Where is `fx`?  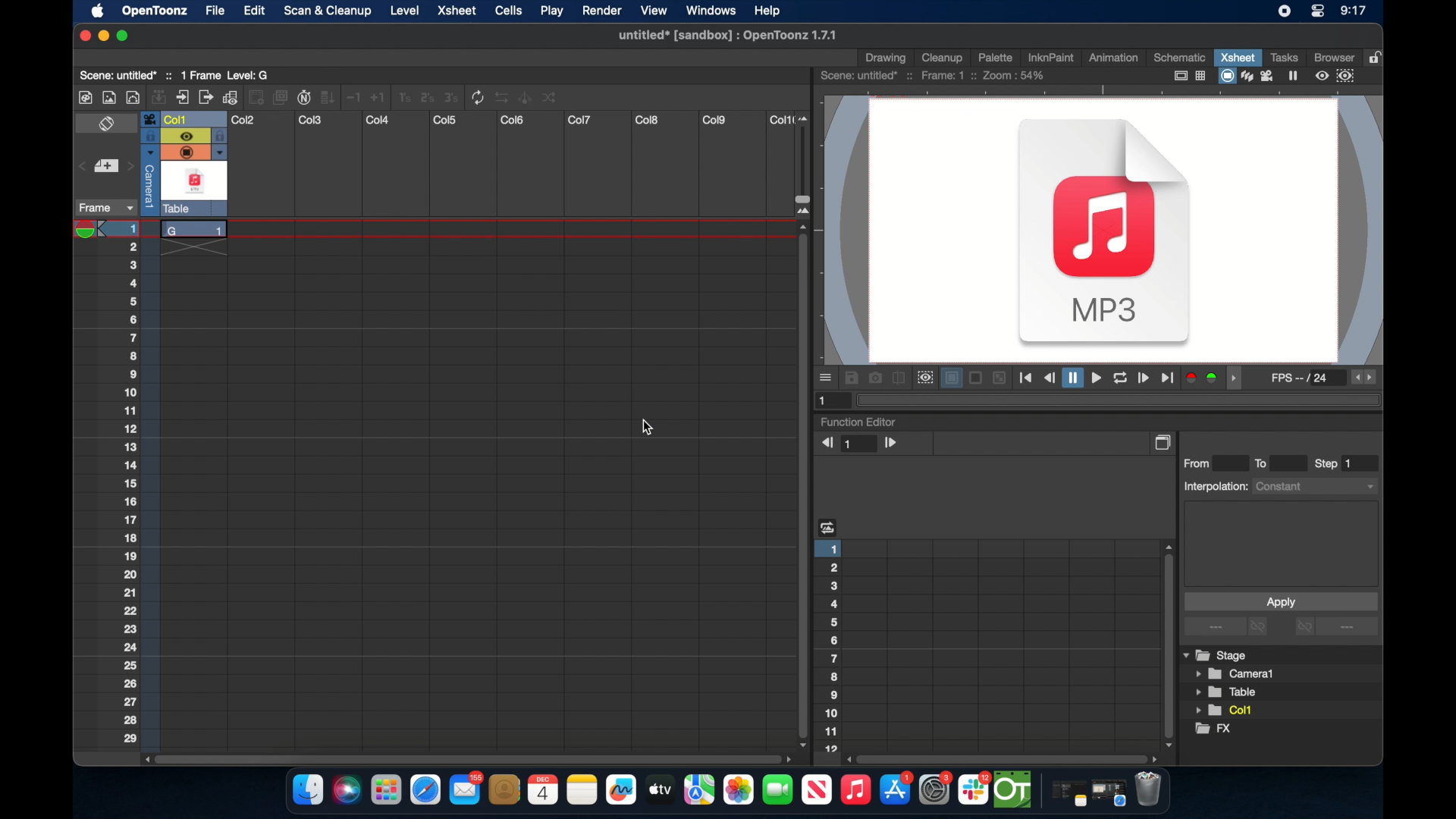
fx is located at coordinates (1219, 731).